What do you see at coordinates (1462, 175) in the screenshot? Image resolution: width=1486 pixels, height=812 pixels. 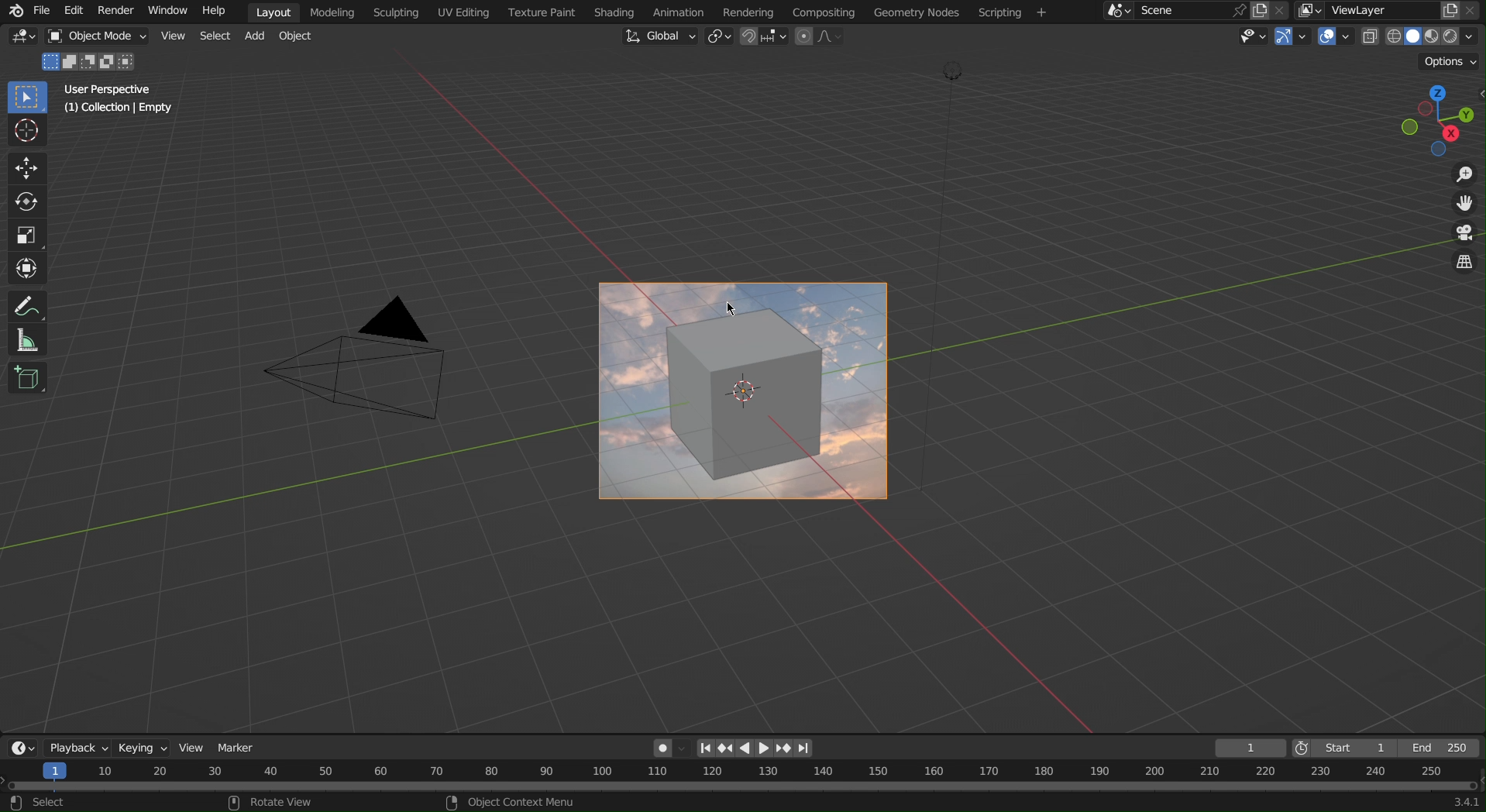 I see `Zoom` at bounding box center [1462, 175].